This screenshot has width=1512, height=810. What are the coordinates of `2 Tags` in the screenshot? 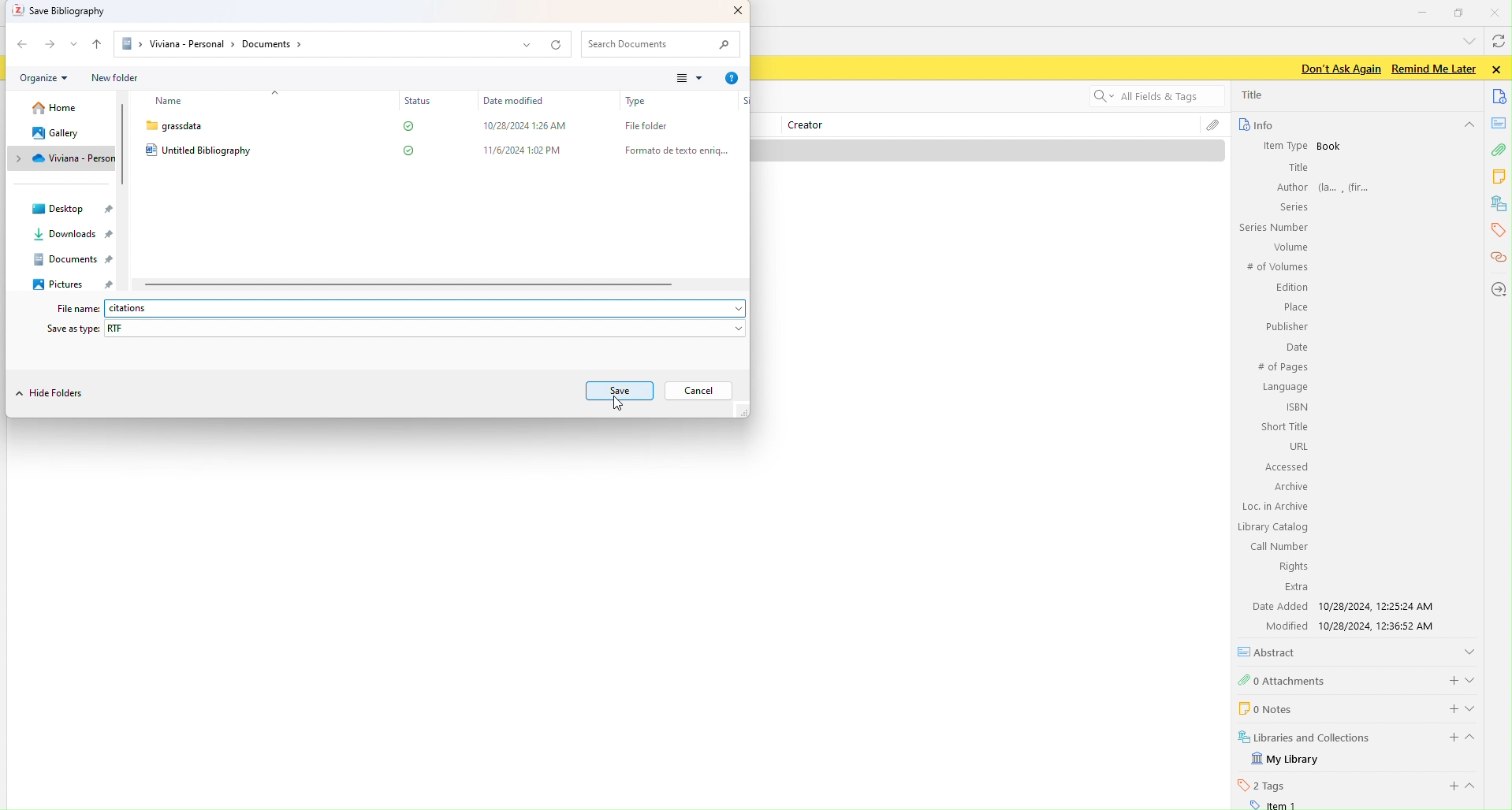 It's located at (1262, 785).